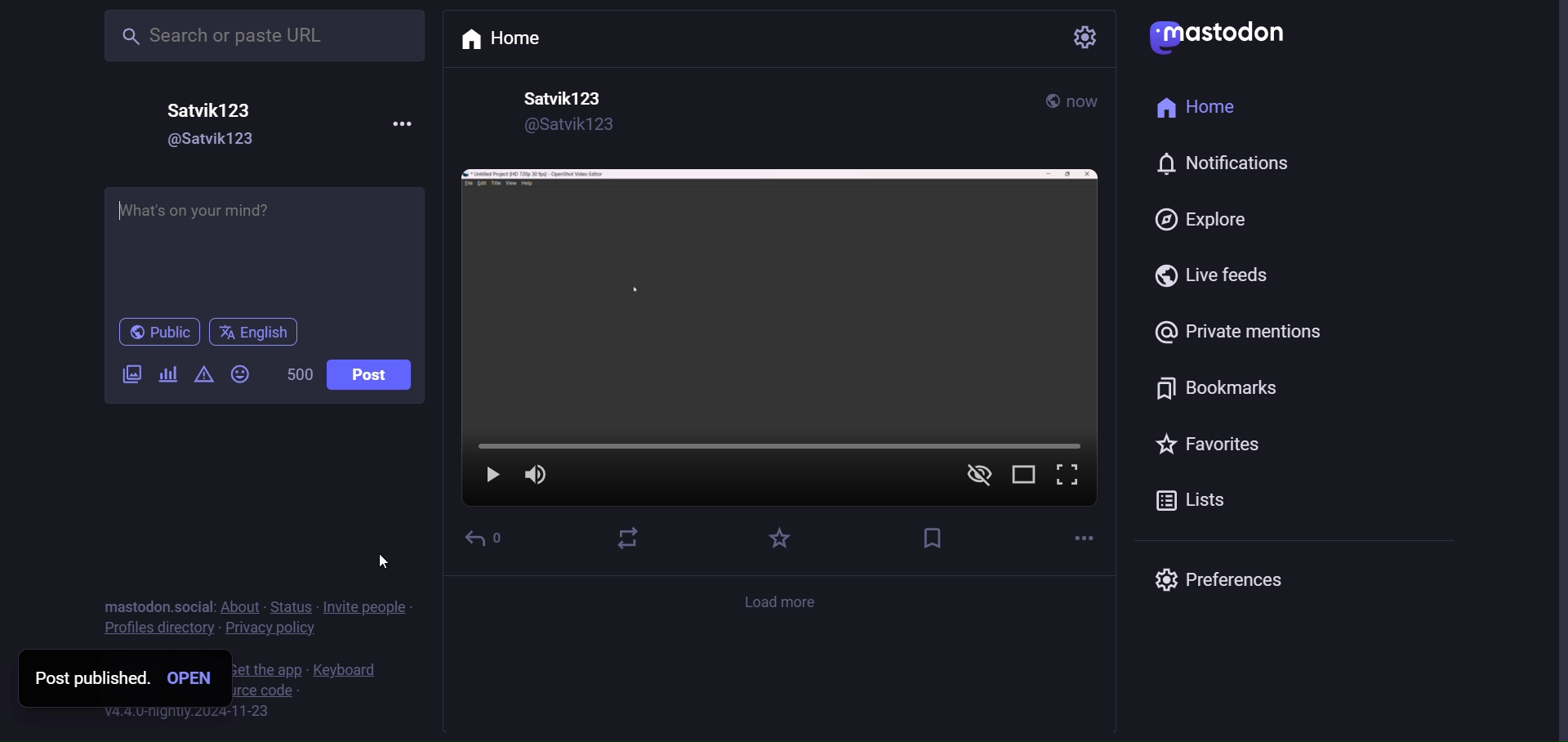 The height and width of the screenshot is (742, 1568). I want to click on public, so click(1045, 101).